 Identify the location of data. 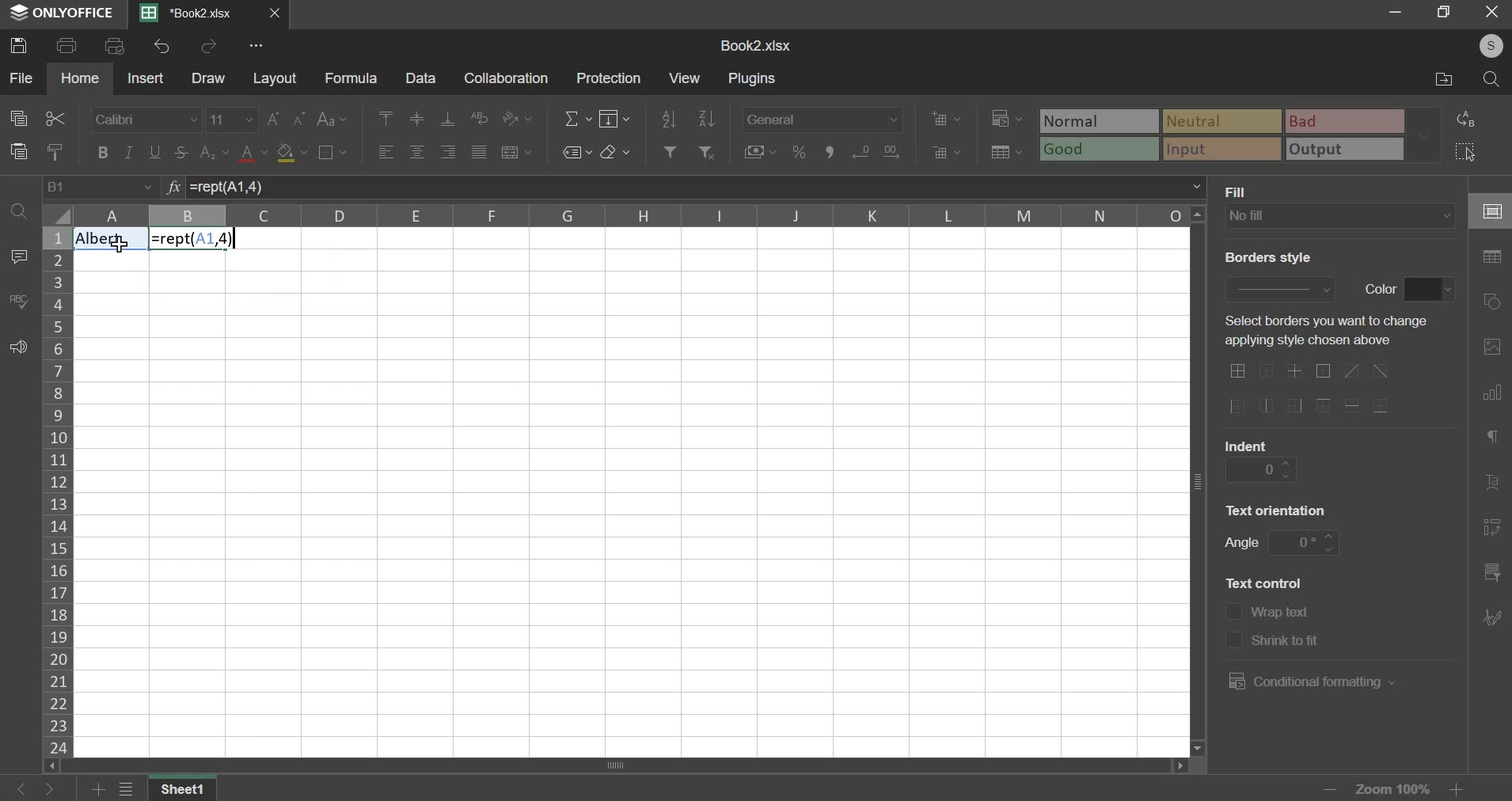
(424, 78).